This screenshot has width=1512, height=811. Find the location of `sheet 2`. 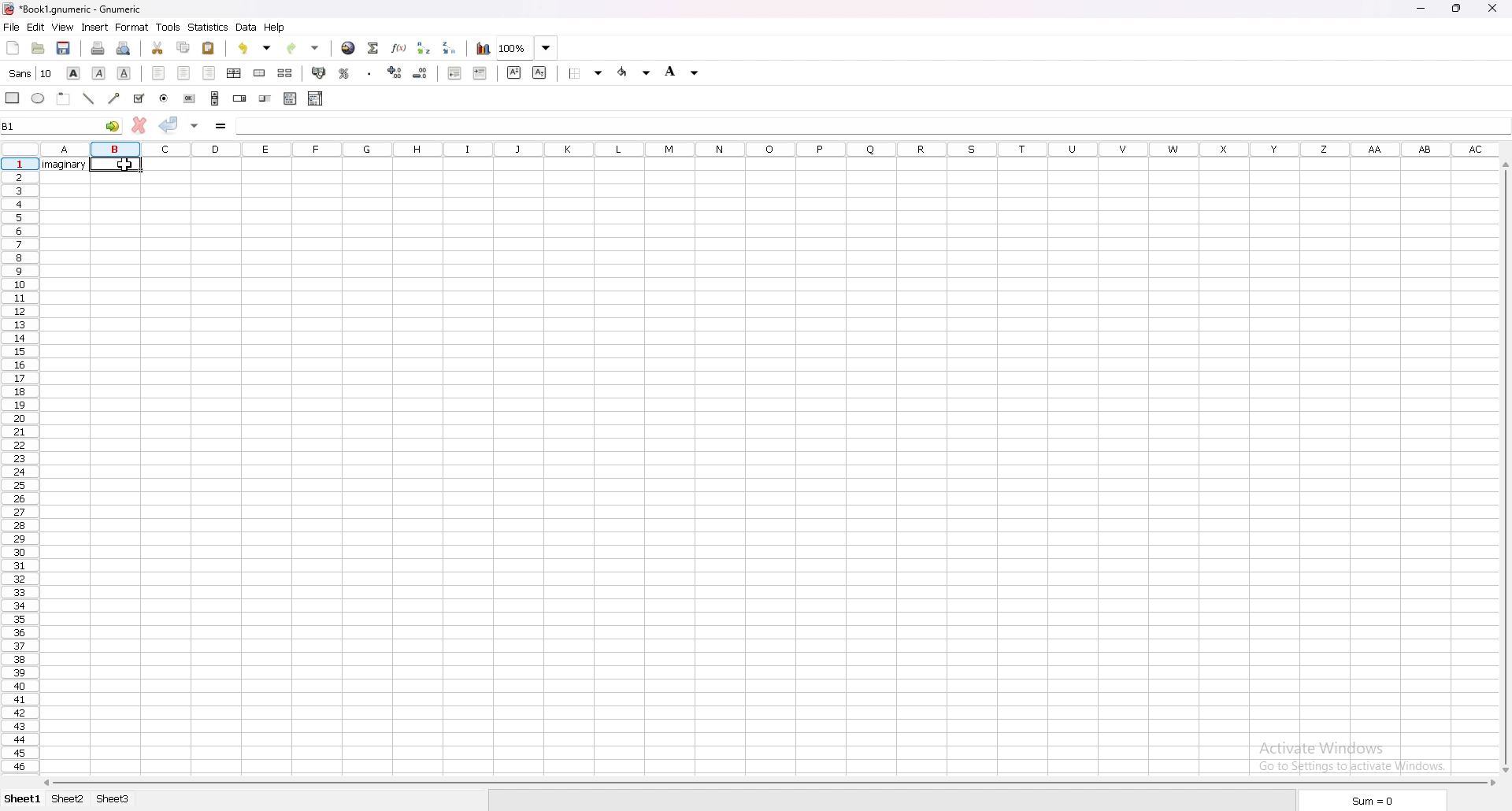

sheet 2 is located at coordinates (68, 800).